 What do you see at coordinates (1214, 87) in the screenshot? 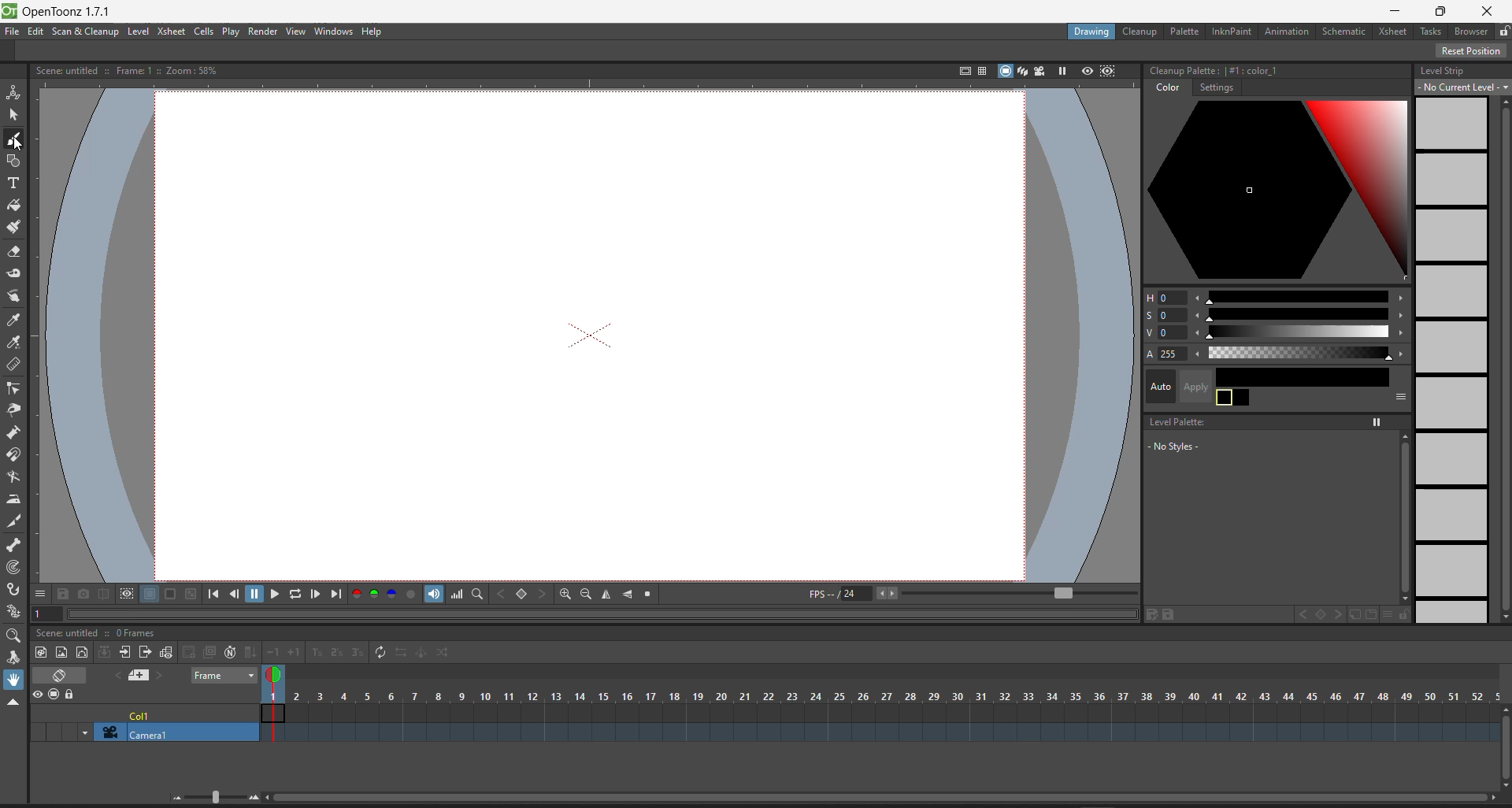
I see `settings` at bounding box center [1214, 87].